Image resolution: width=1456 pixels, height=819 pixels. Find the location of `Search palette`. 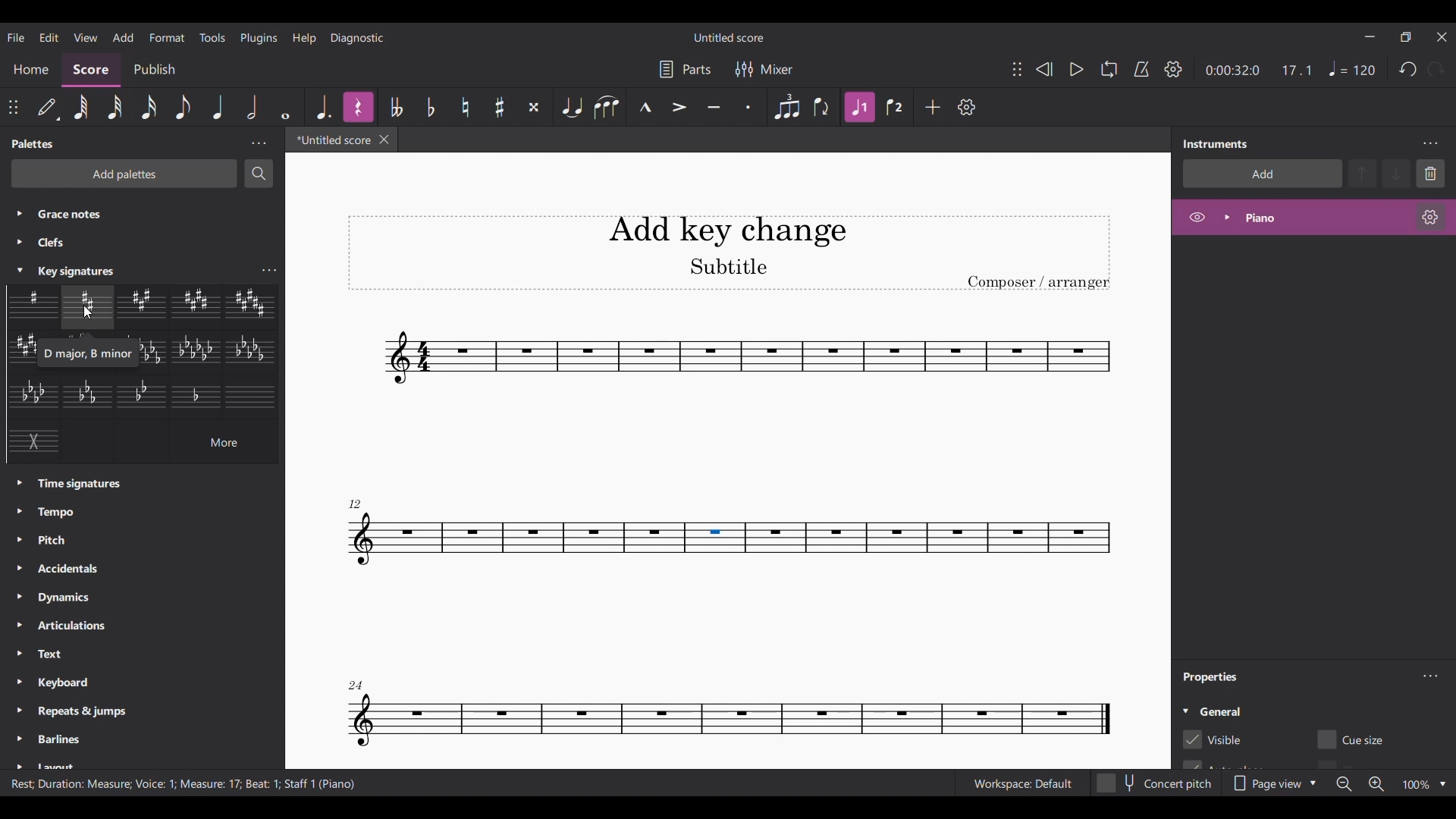

Search palette is located at coordinates (259, 173).